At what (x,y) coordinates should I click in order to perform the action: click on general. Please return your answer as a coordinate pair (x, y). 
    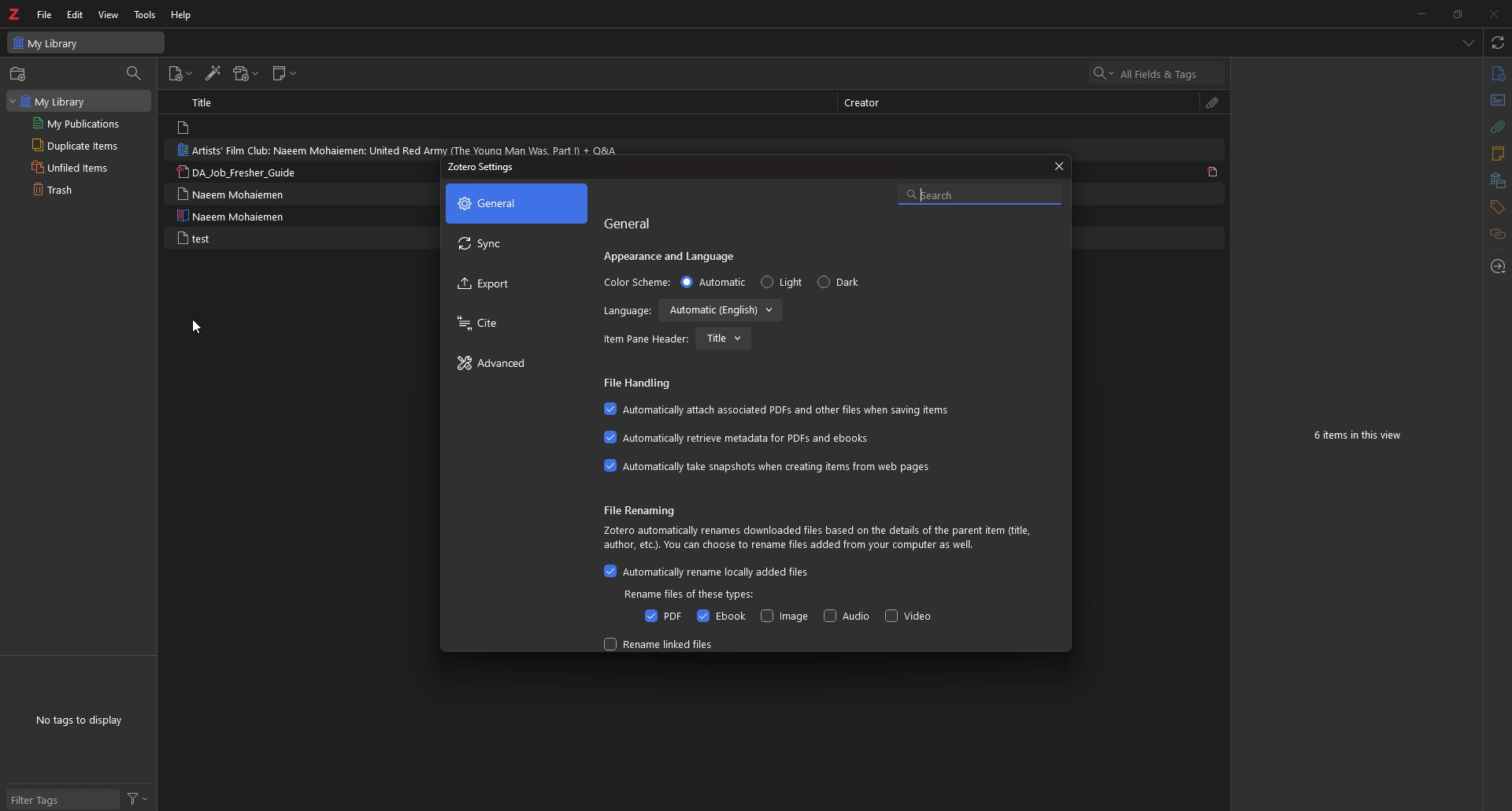
    Looking at the image, I should click on (636, 223).